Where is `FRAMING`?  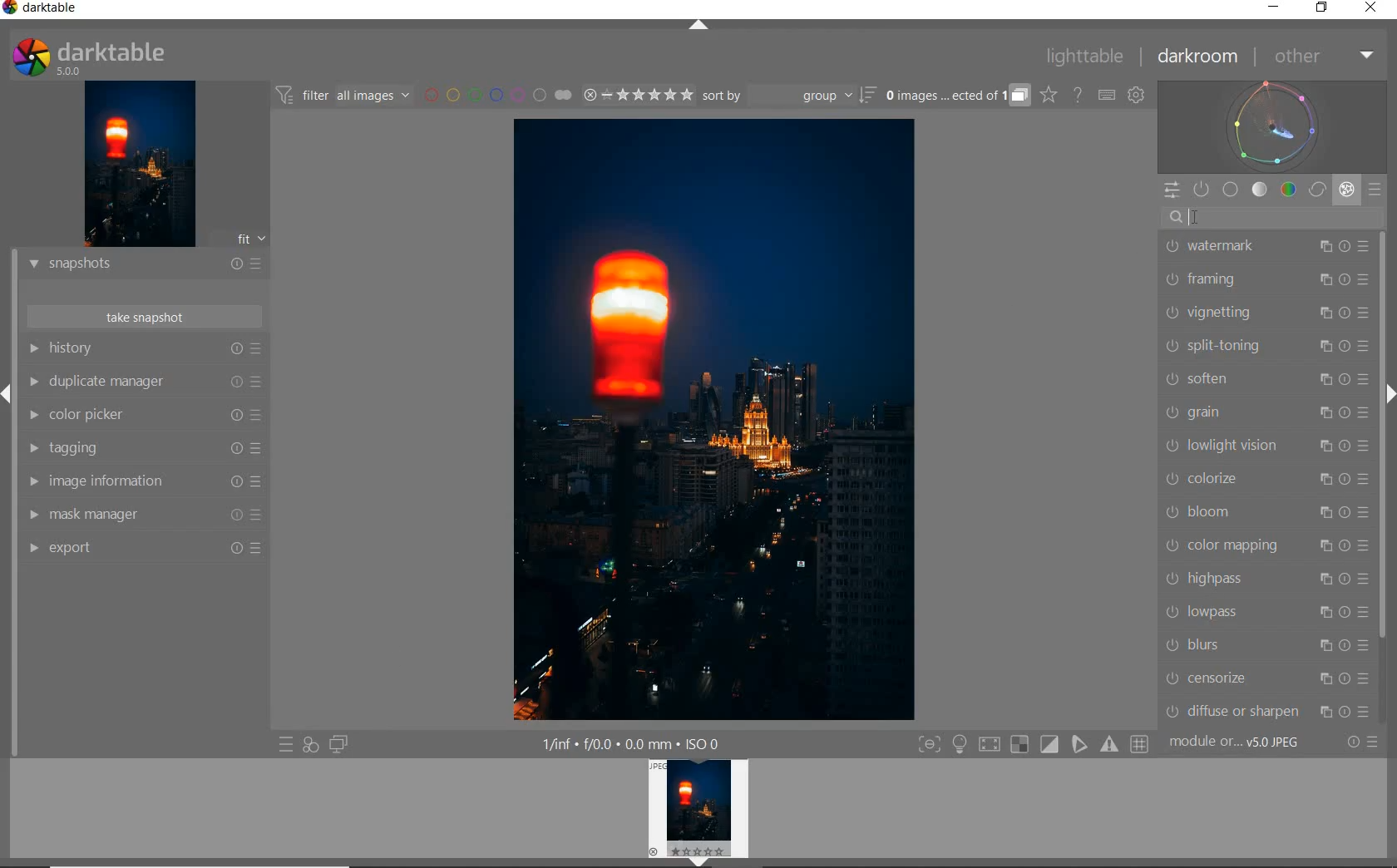 FRAMING is located at coordinates (1217, 281).